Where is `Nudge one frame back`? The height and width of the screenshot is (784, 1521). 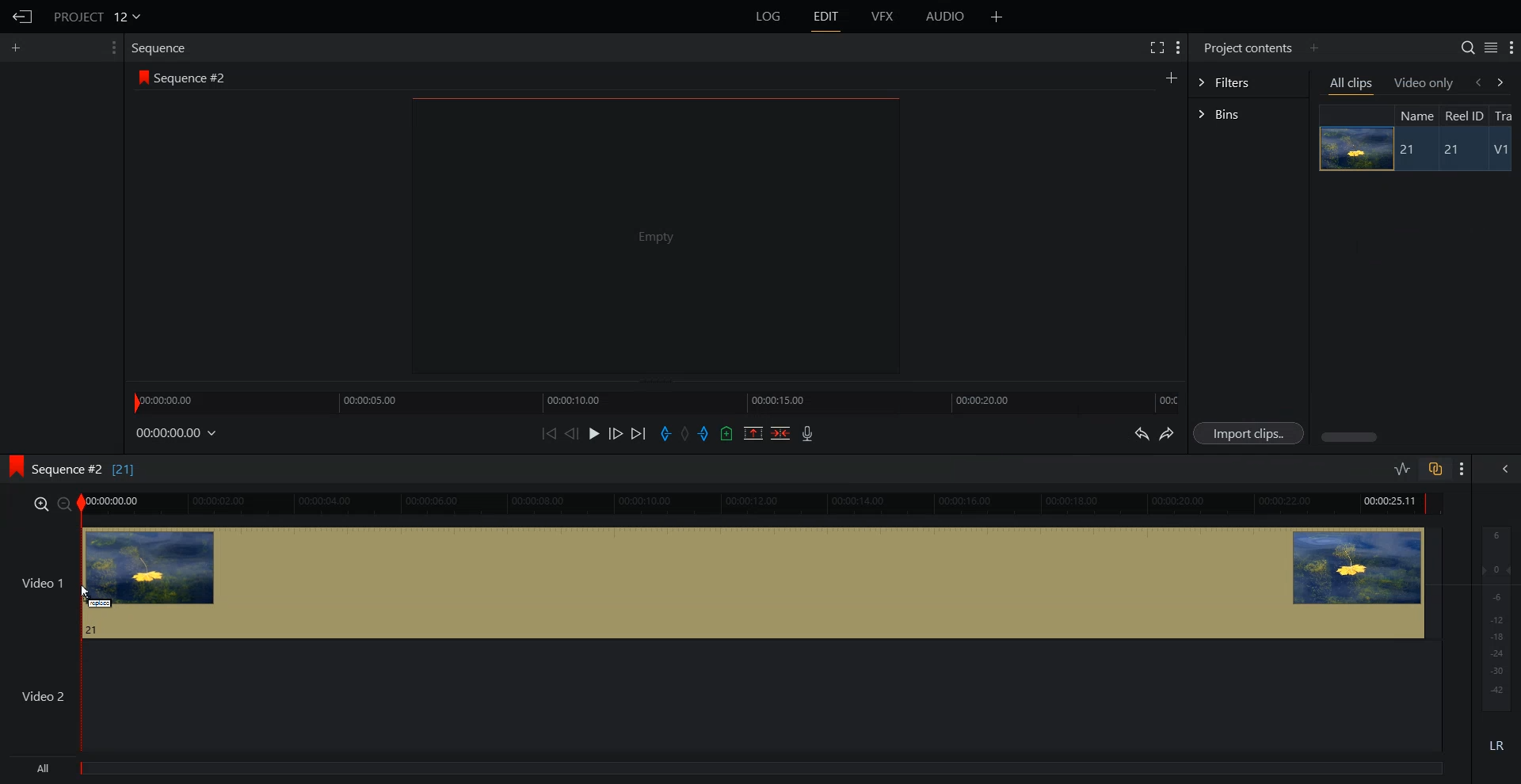 Nudge one frame back is located at coordinates (572, 433).